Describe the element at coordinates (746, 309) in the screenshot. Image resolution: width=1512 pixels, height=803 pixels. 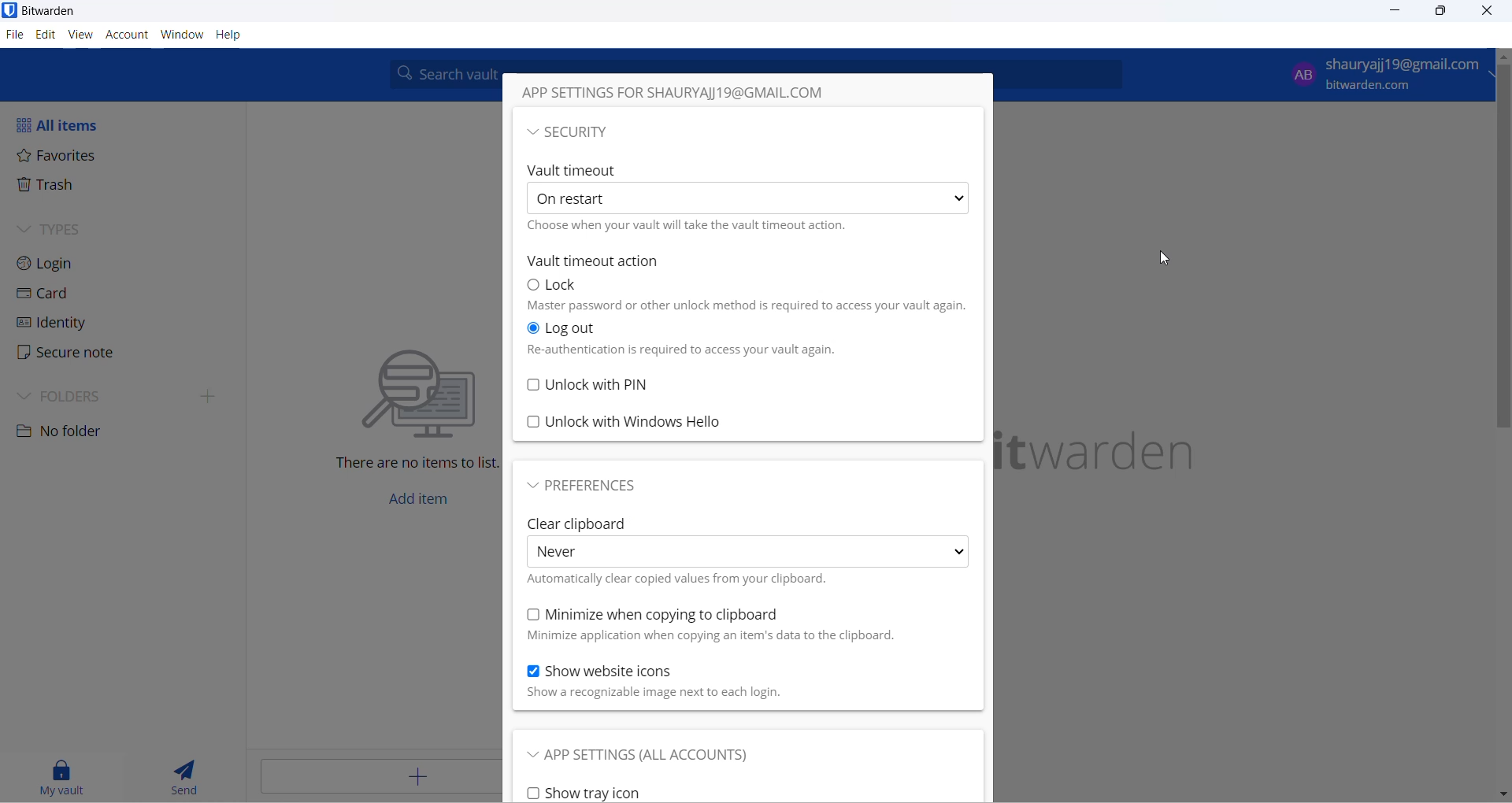
I see `master password or other unlock method is required to access your vault again` at that location.